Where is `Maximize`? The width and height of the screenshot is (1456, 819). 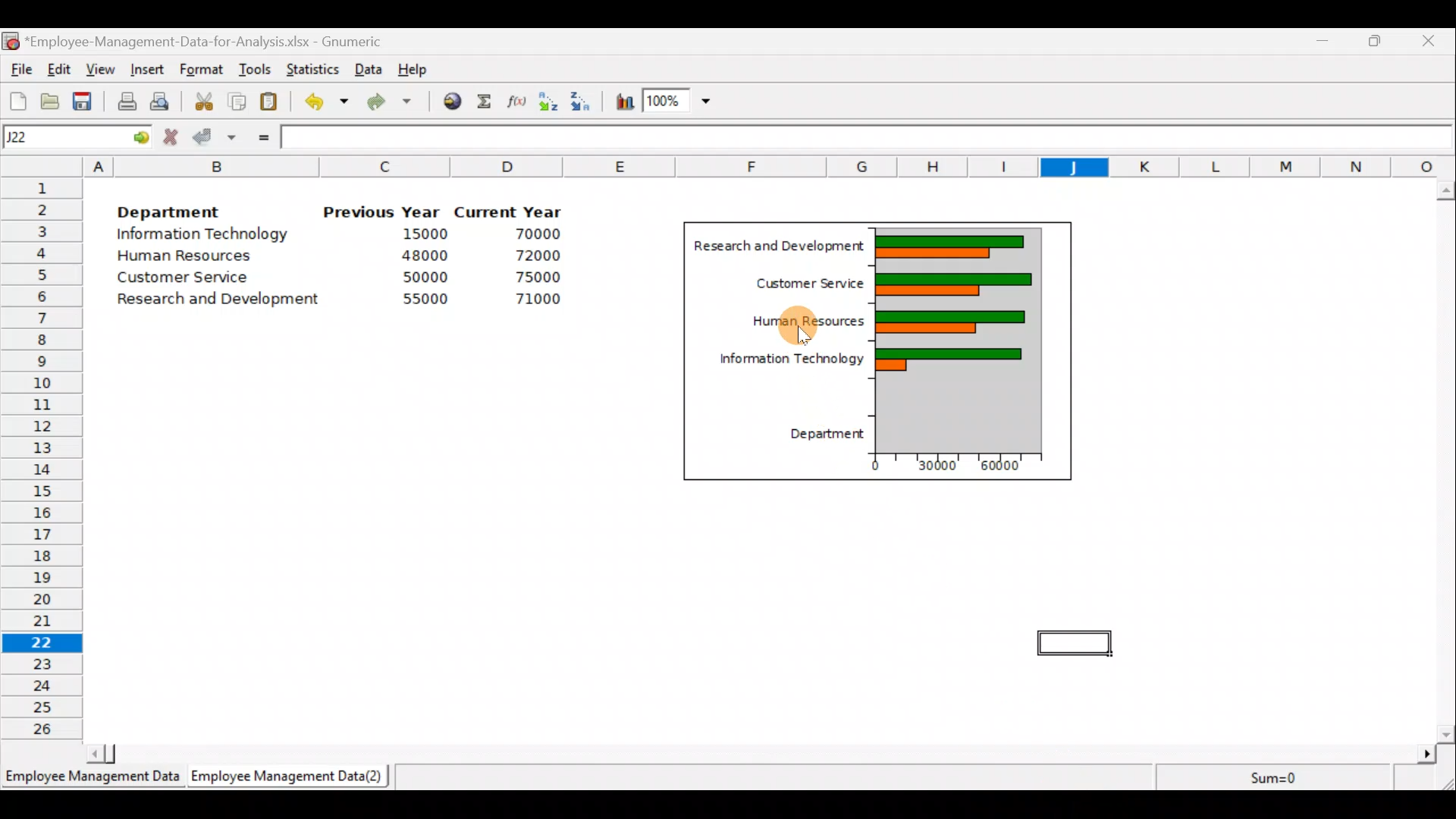
Maximize is located at coordinates (1373, 42).